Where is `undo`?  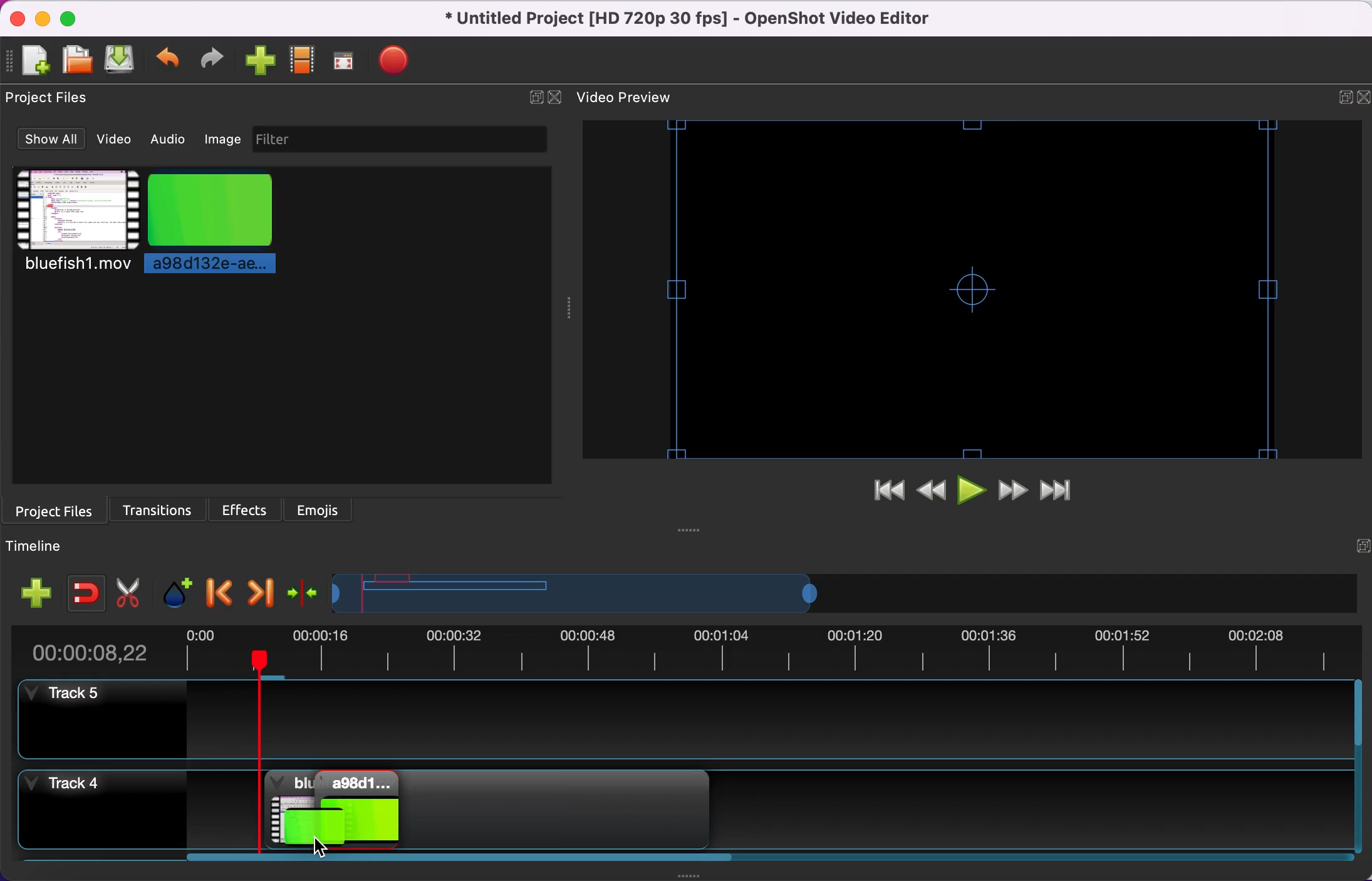
undo is located at coordinates (165, 60).